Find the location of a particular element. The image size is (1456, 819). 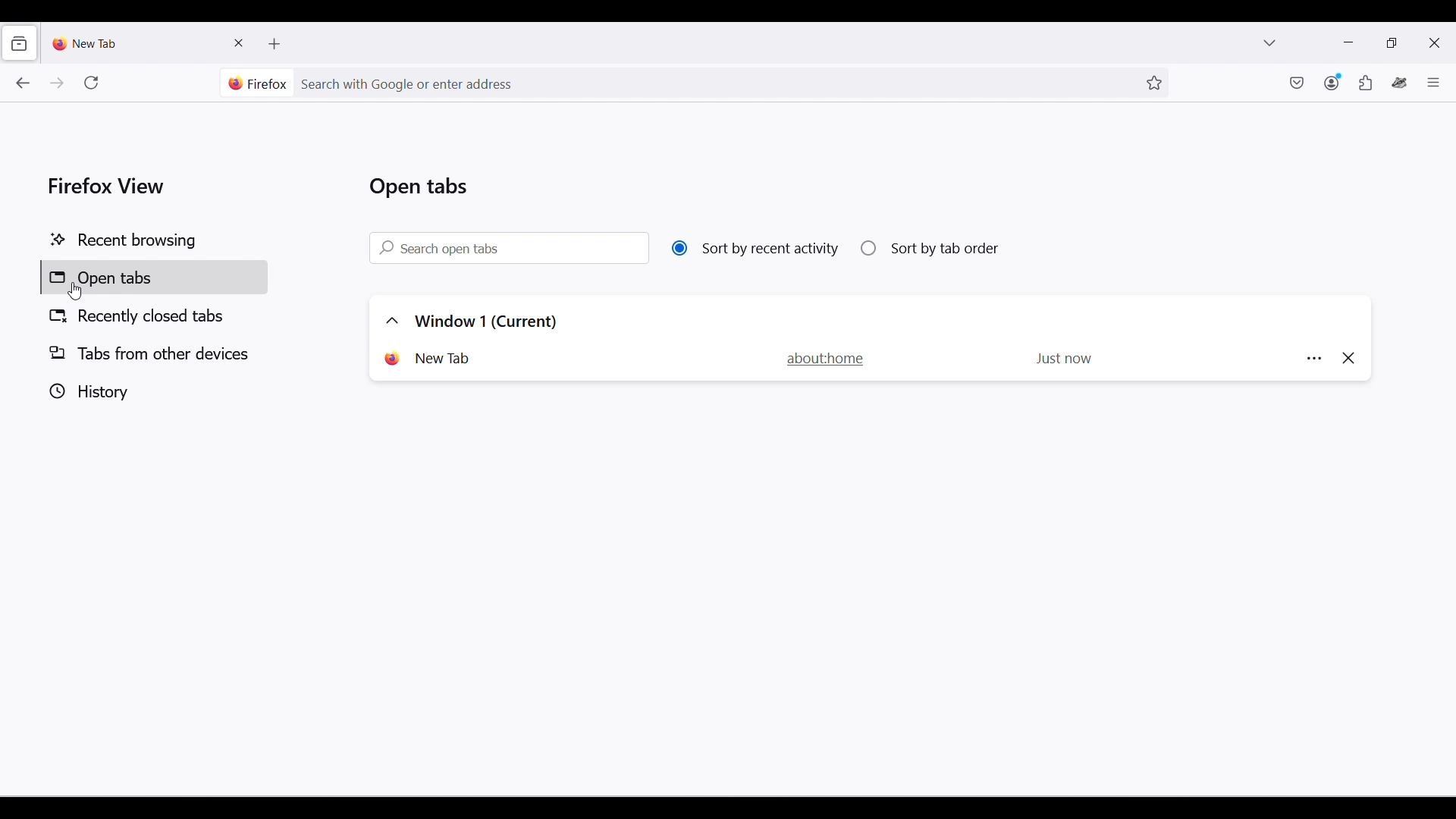

Minimize is located at coordinates (1348, 42).